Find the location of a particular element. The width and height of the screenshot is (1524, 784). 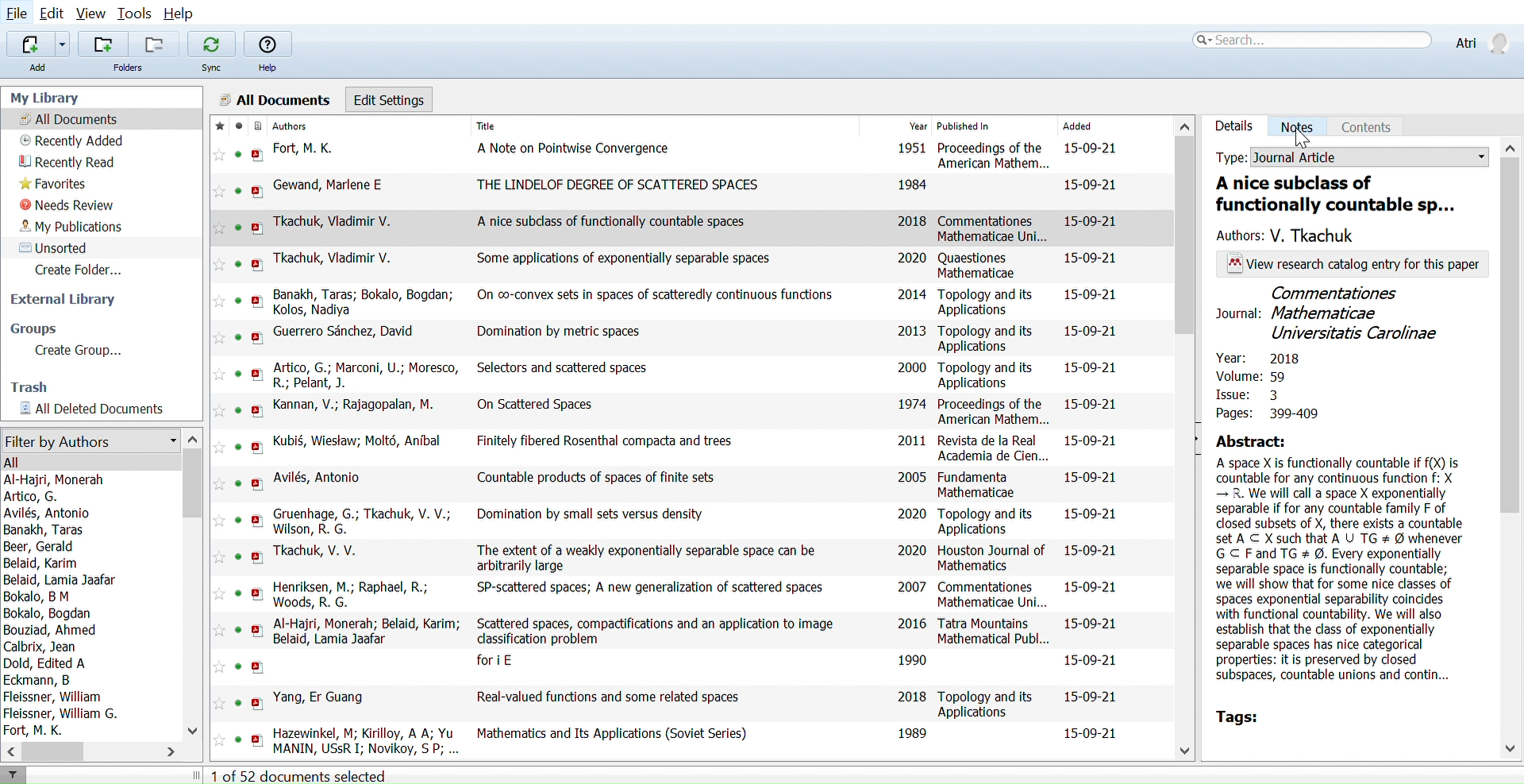

Fort, M. K. is located at coordinates (38, 730).